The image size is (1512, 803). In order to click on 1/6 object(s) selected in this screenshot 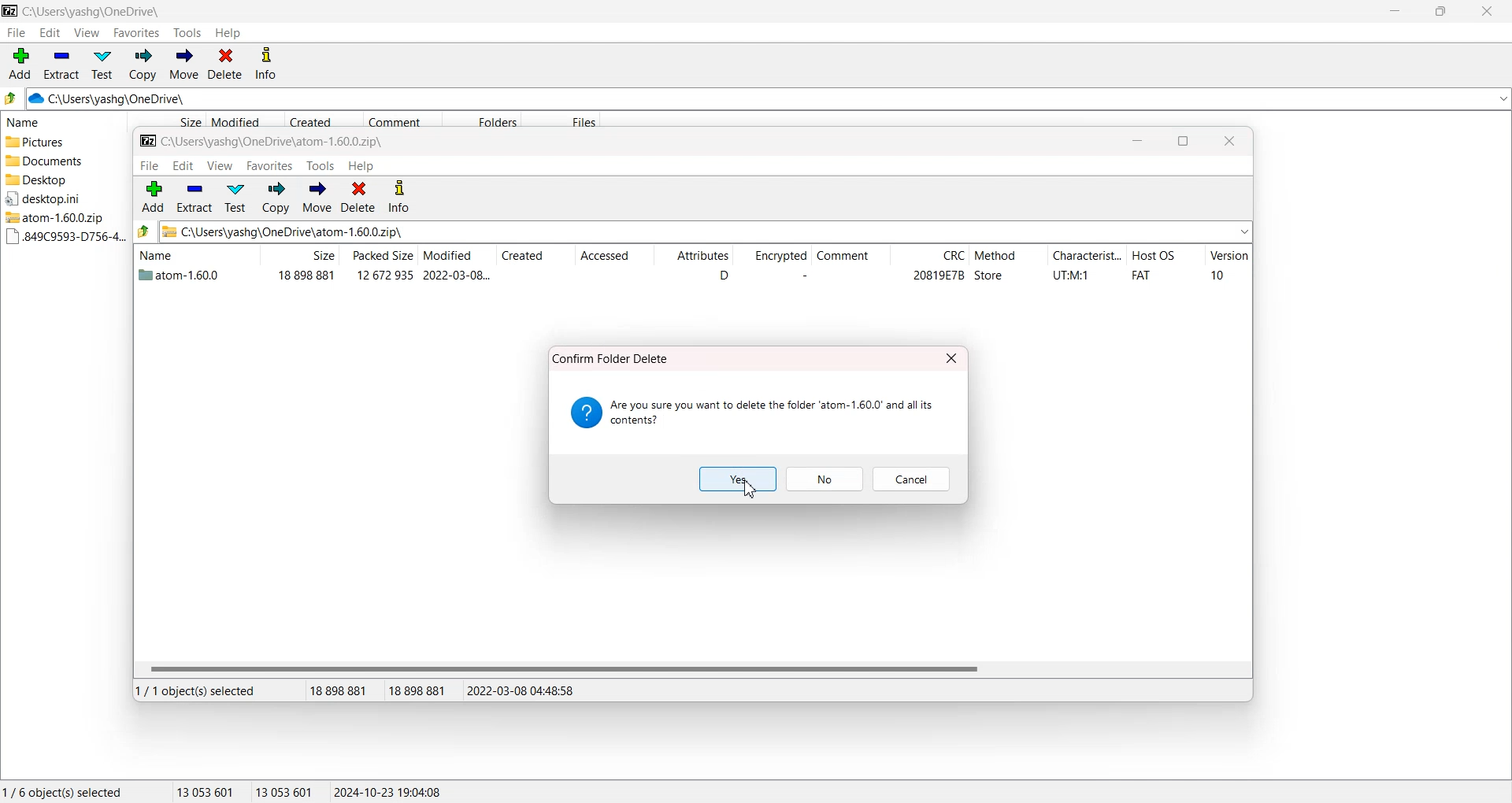, I will do `click(62, 791)`.